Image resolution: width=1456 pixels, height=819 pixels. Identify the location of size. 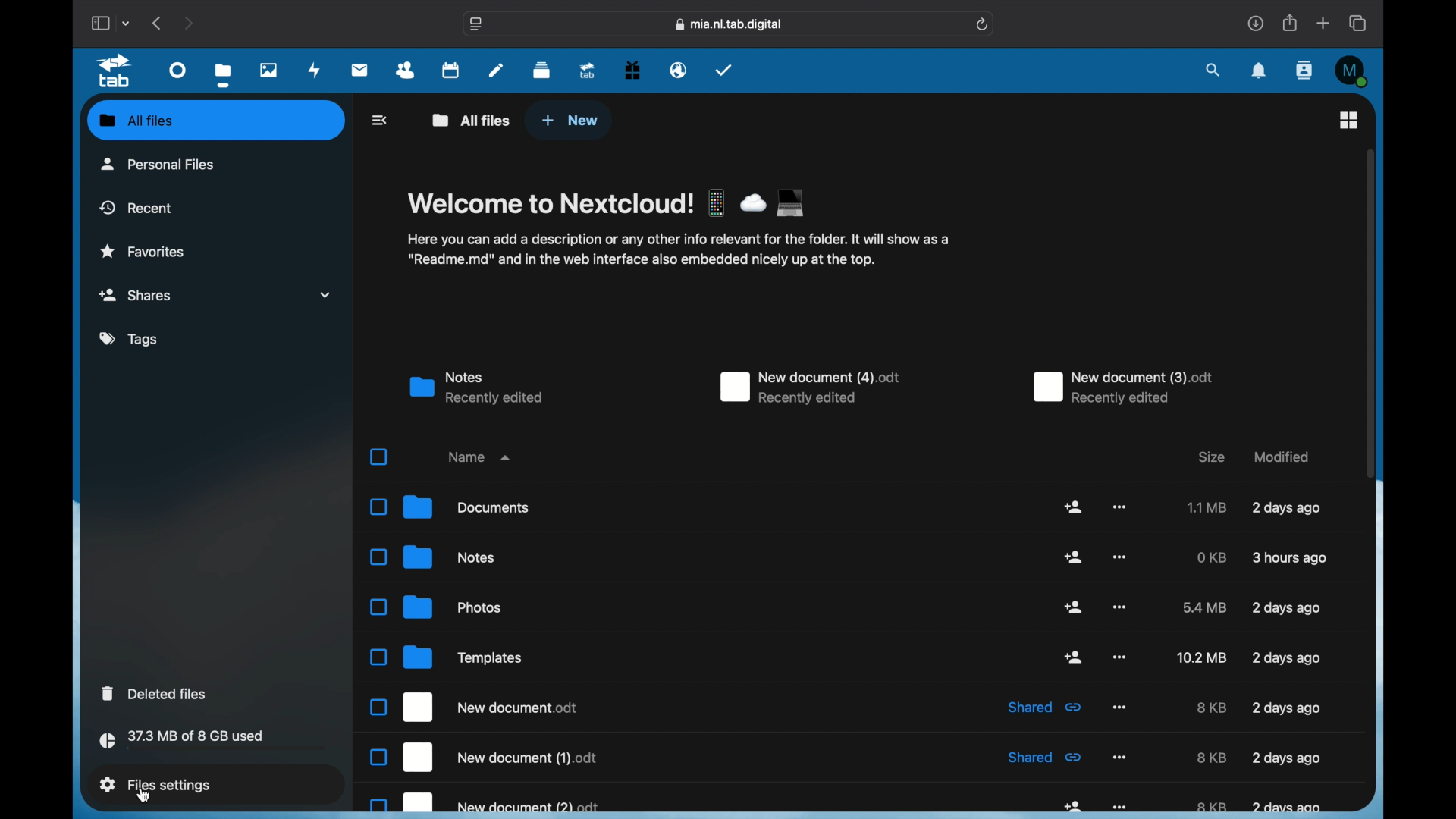
(1211, 708).